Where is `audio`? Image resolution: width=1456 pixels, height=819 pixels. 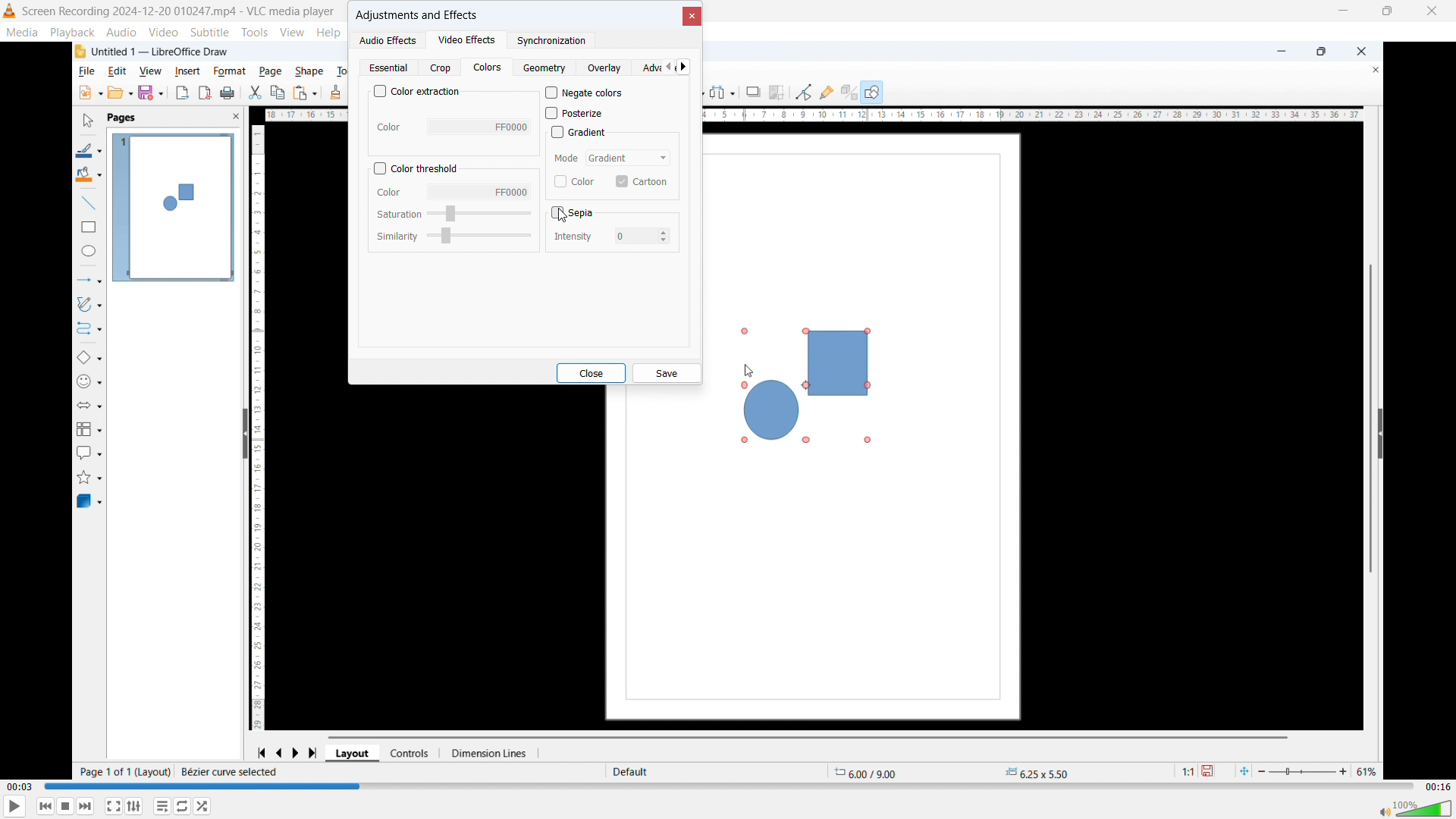 audio is located at coordinates (121, 33).